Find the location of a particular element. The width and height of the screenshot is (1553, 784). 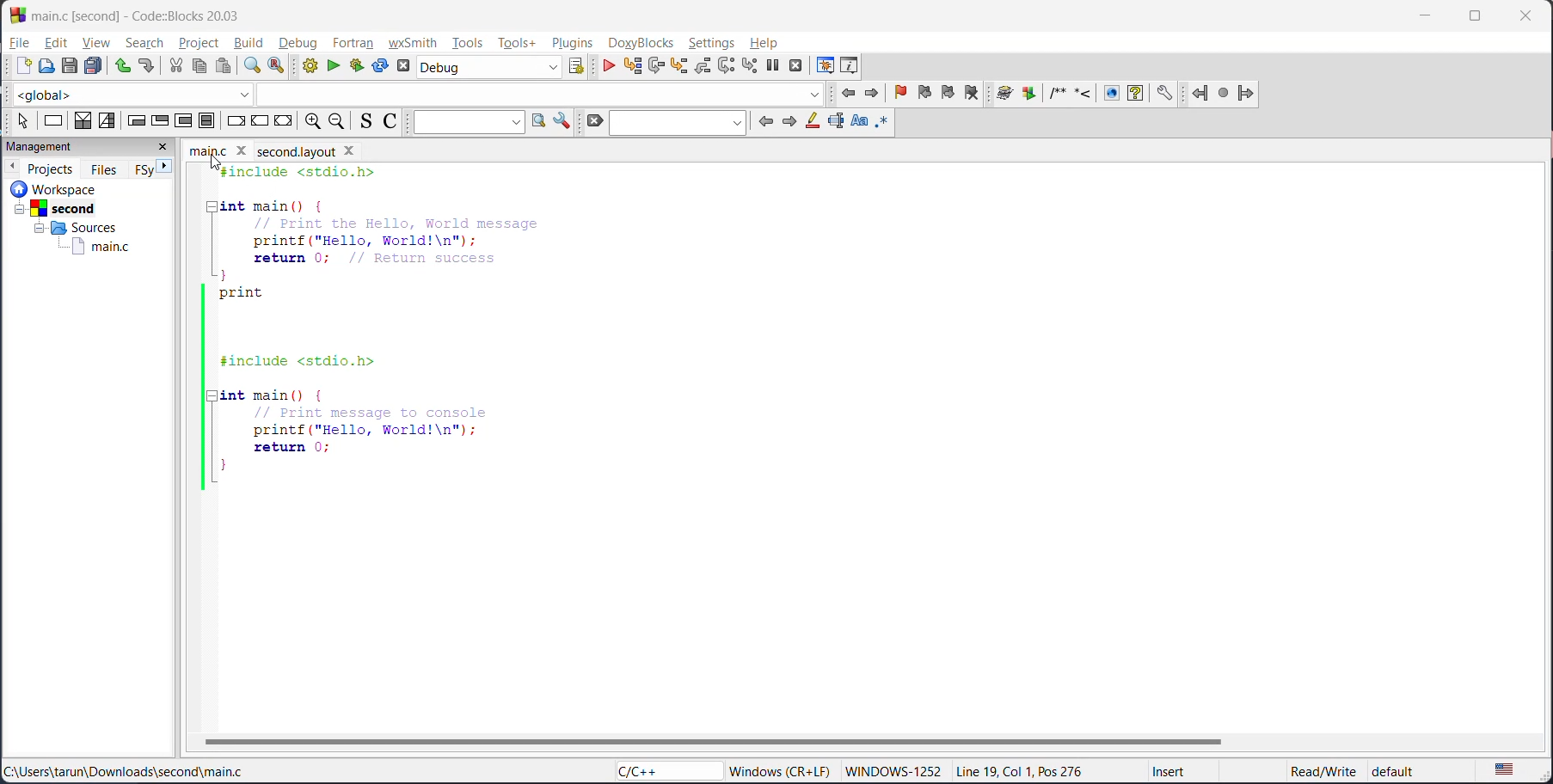

copy is located at coordinates (198, 67).